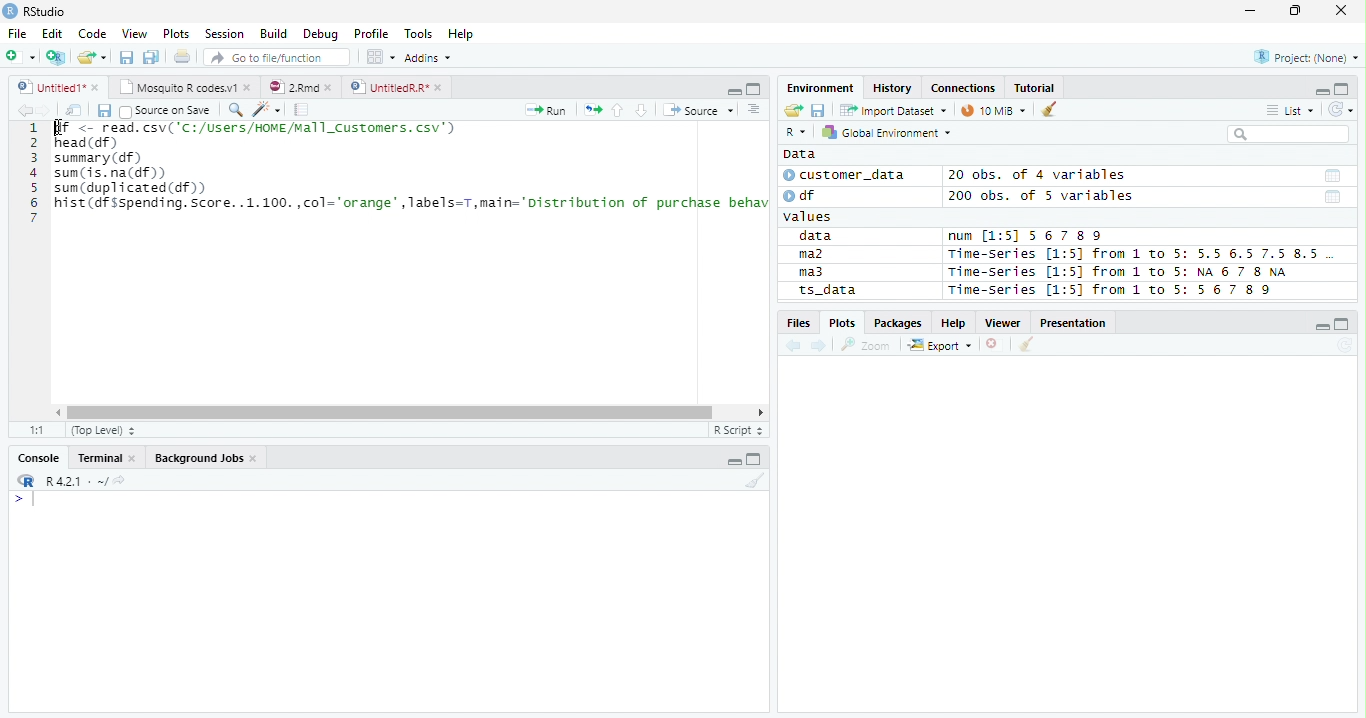 The width and height of the screenshot is (1366, 718). What do you see at coordinates (1340, 11) in the screenshot?
I see `Close` at bounding box center [1340, 11].